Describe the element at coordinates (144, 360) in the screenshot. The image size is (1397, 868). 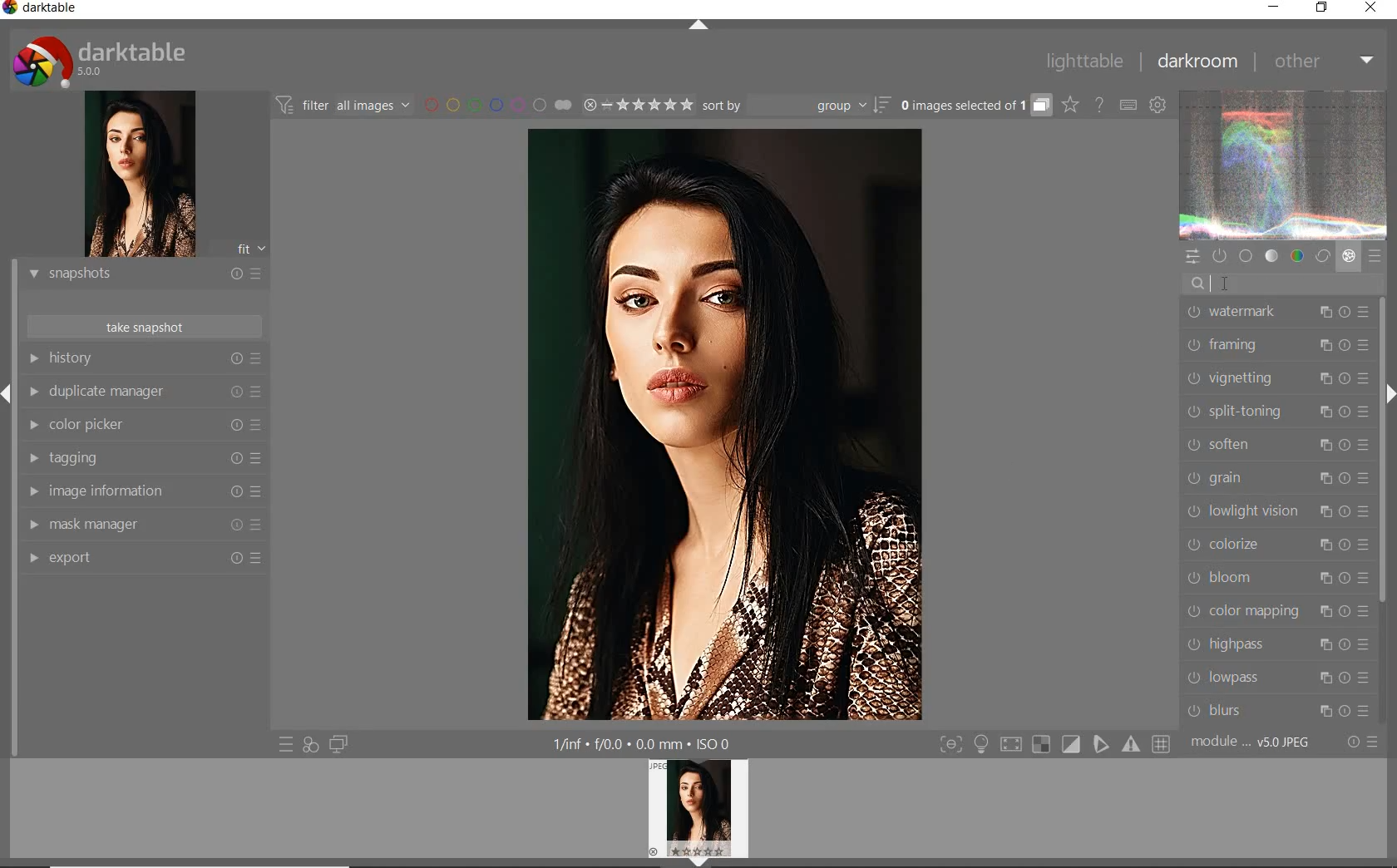
I see `HISTORY` at that location.